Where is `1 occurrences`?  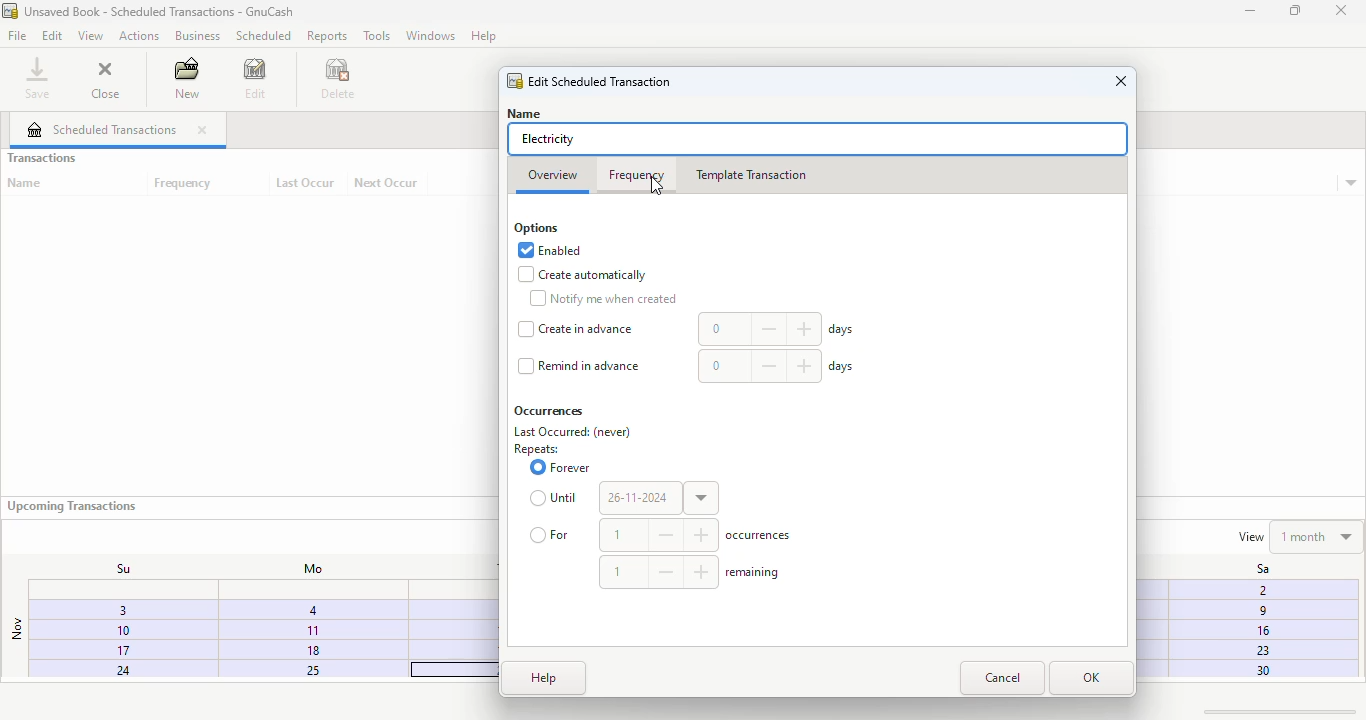 1 occurrences is located at coordinates (698, 535).